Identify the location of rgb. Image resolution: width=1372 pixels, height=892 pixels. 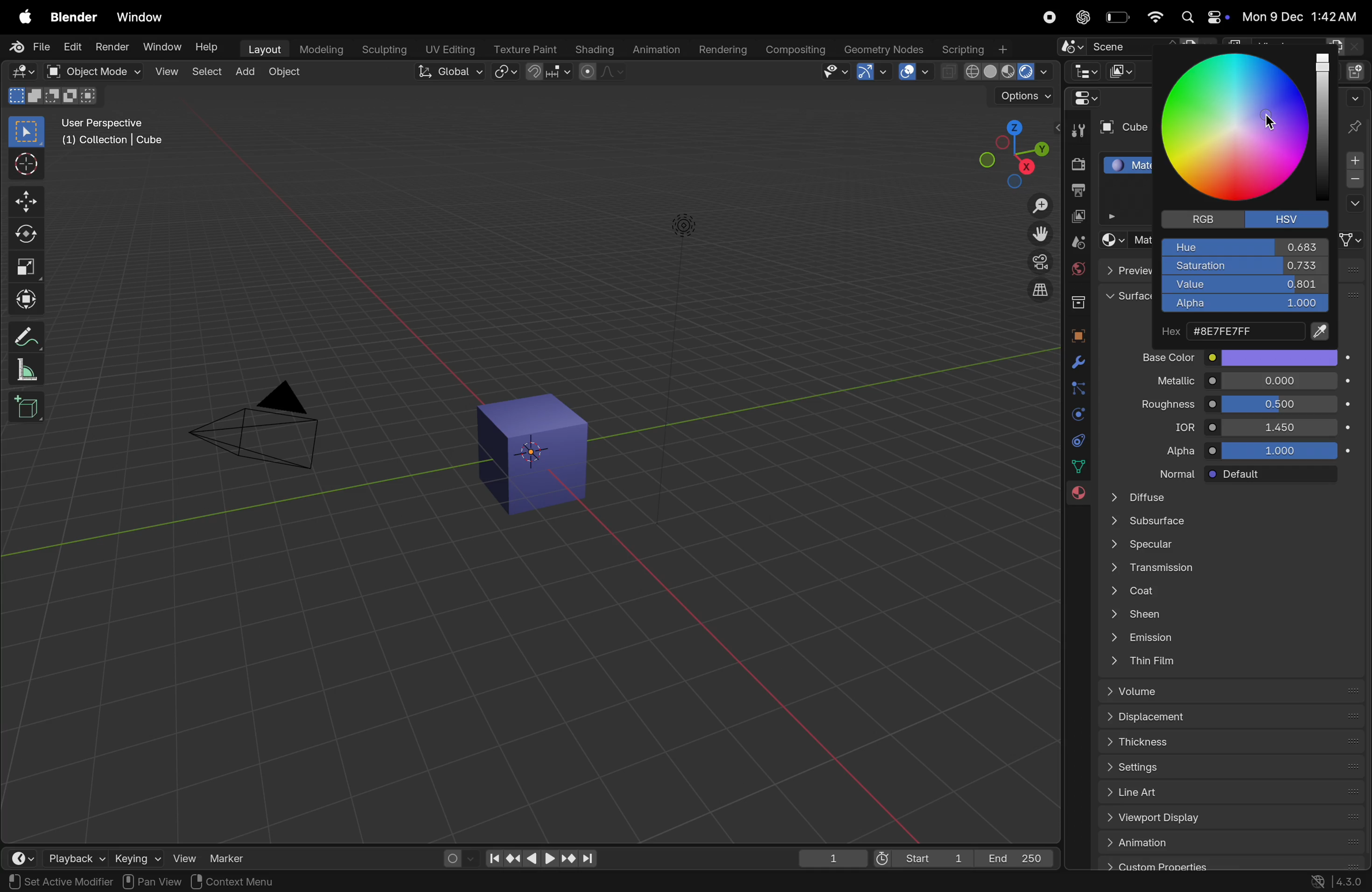
(1199, 219).